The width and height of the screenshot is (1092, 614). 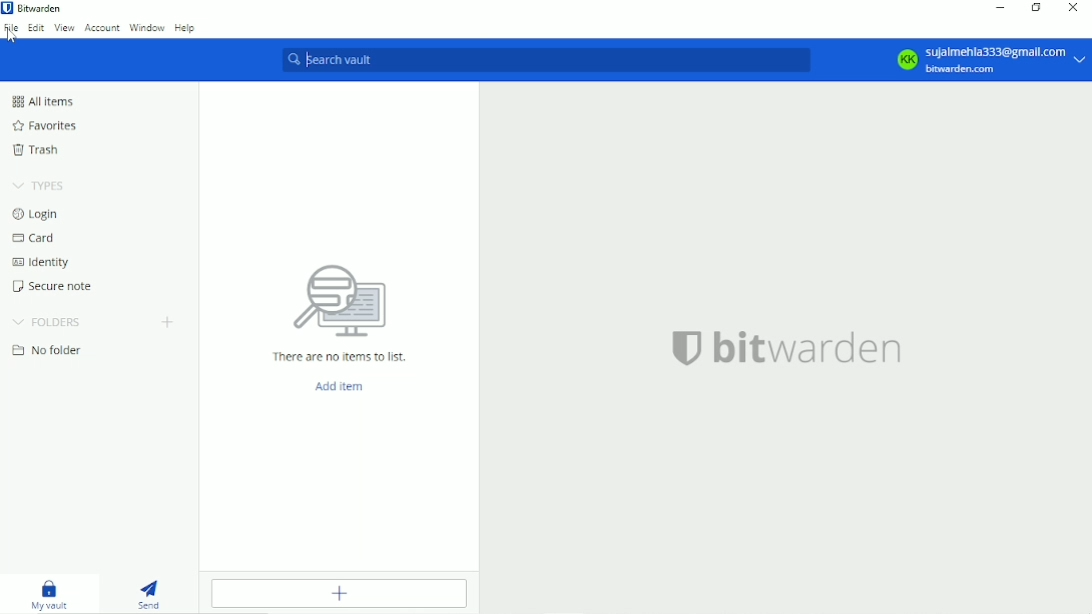 I want to click on KK, so click(x=906, y=59).